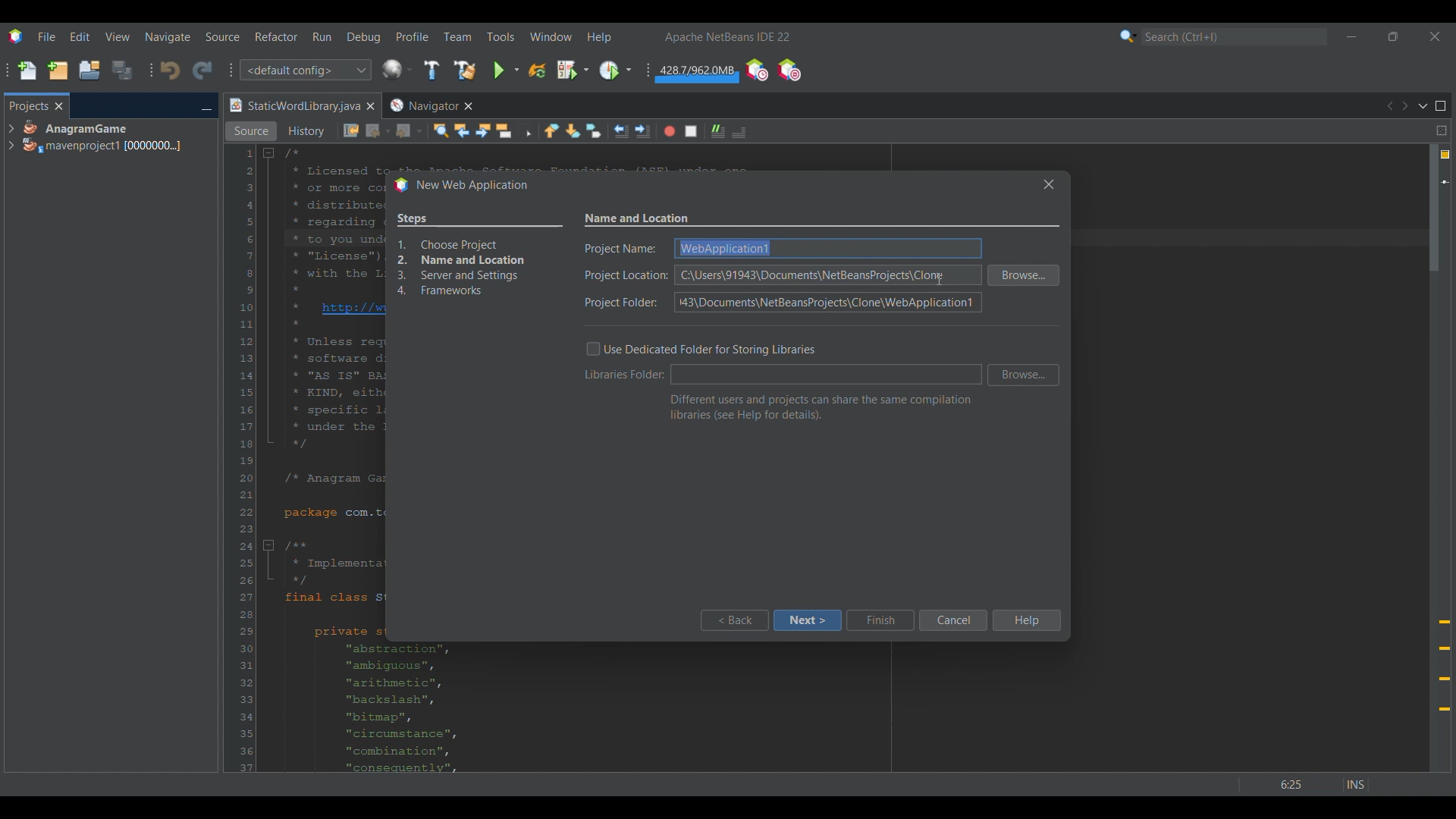  What do you see at coordinates (122, 70) in the screenshot?
I see `Save all` at bounding box center [122, 70].